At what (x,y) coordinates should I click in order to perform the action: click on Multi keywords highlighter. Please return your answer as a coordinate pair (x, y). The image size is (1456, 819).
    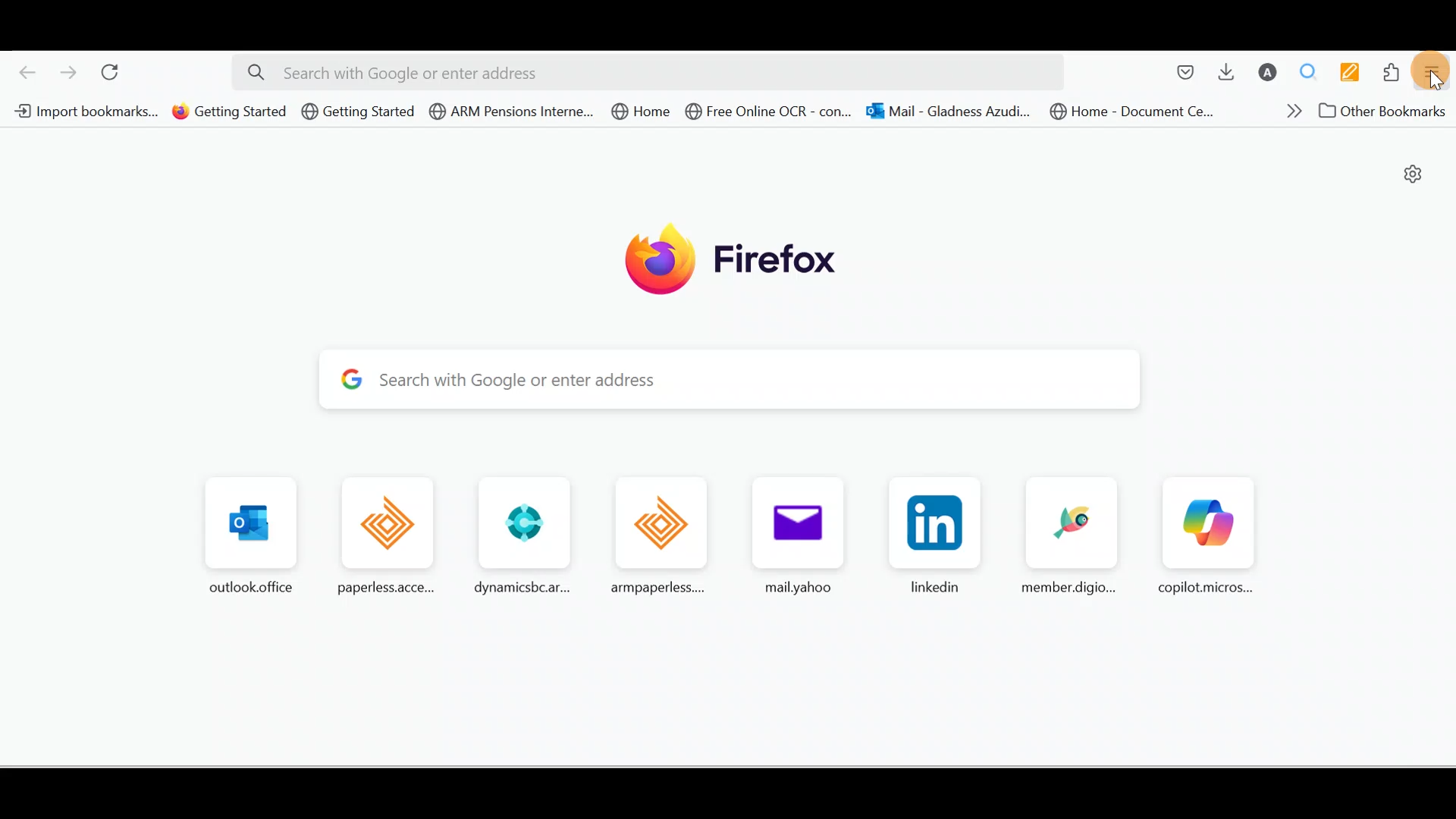
    Looking at the image, I should click on (1354, 74).